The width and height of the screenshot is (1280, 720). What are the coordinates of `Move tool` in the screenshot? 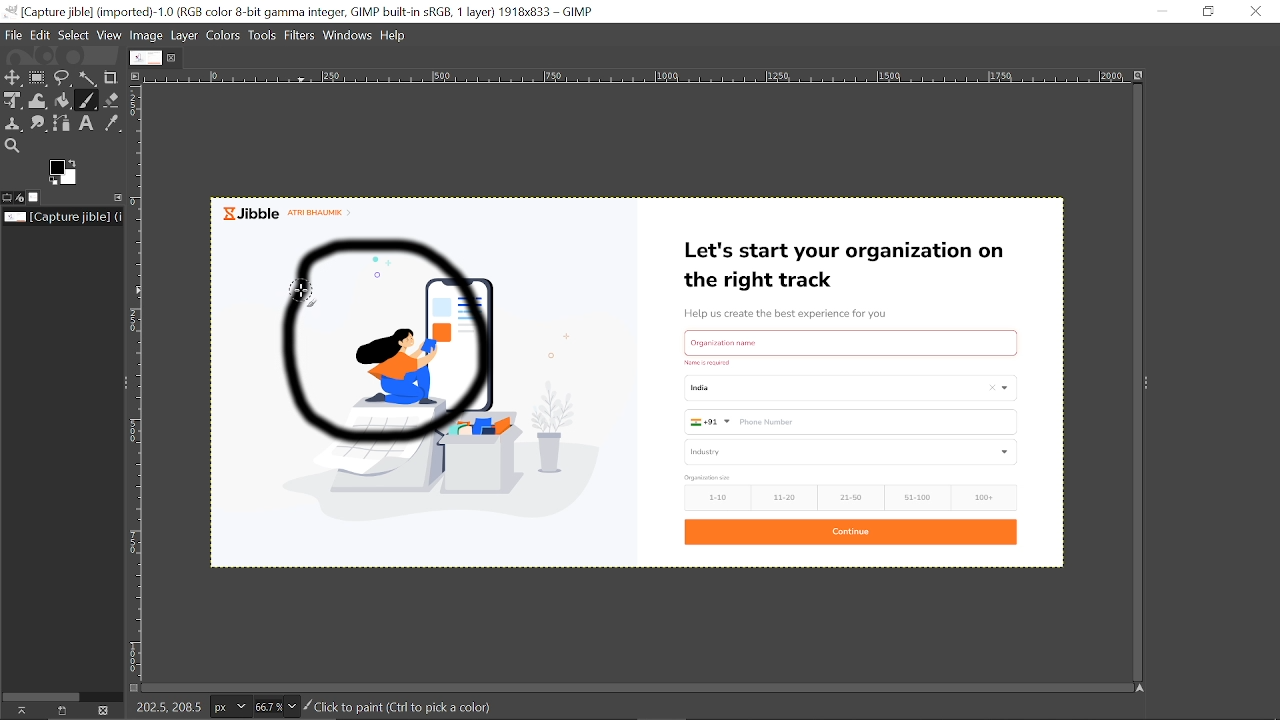 It's located at (13, 77).